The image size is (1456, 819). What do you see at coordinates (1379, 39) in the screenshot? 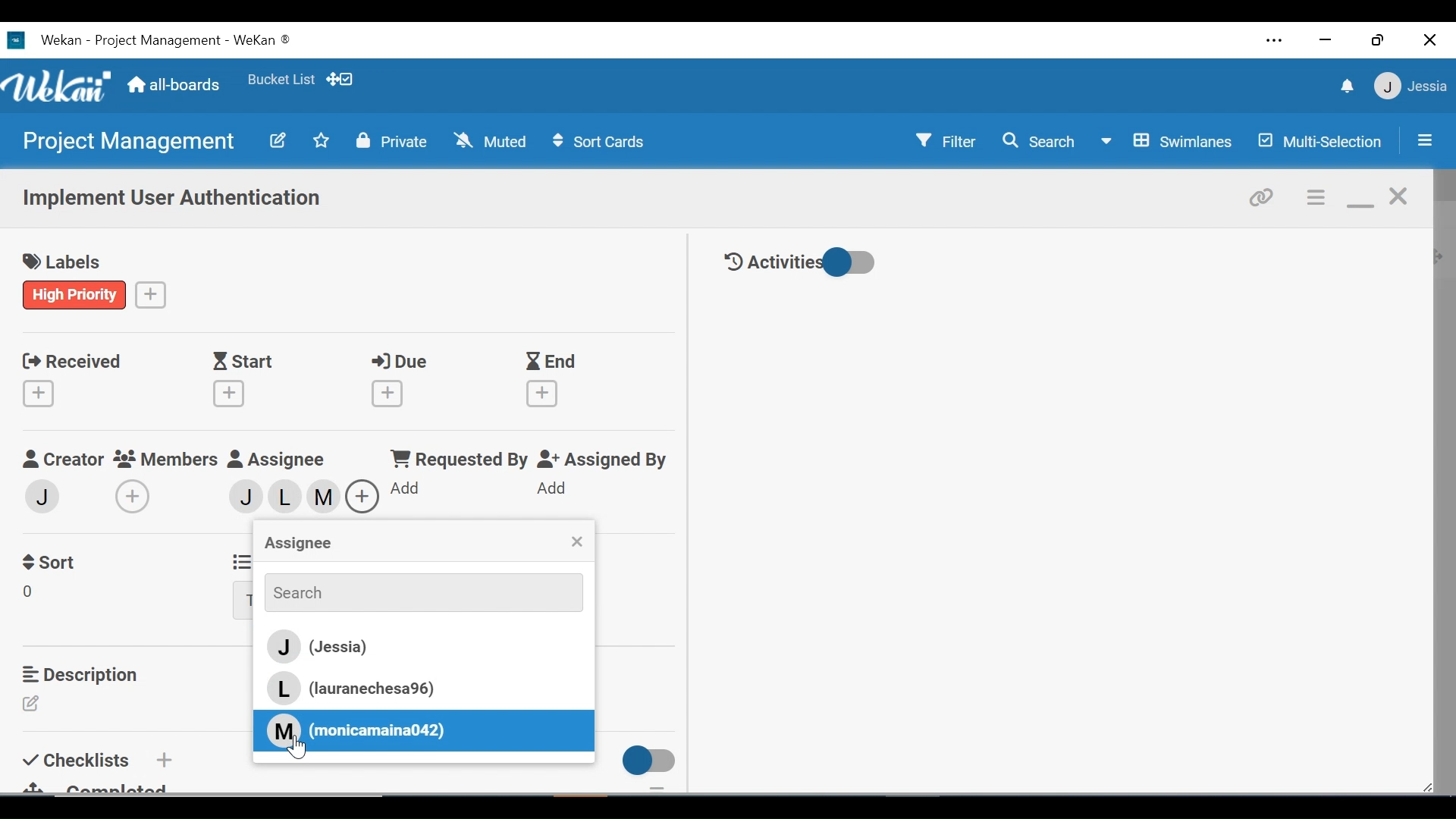
I see `Restore` at bounding box center [1379, 39].